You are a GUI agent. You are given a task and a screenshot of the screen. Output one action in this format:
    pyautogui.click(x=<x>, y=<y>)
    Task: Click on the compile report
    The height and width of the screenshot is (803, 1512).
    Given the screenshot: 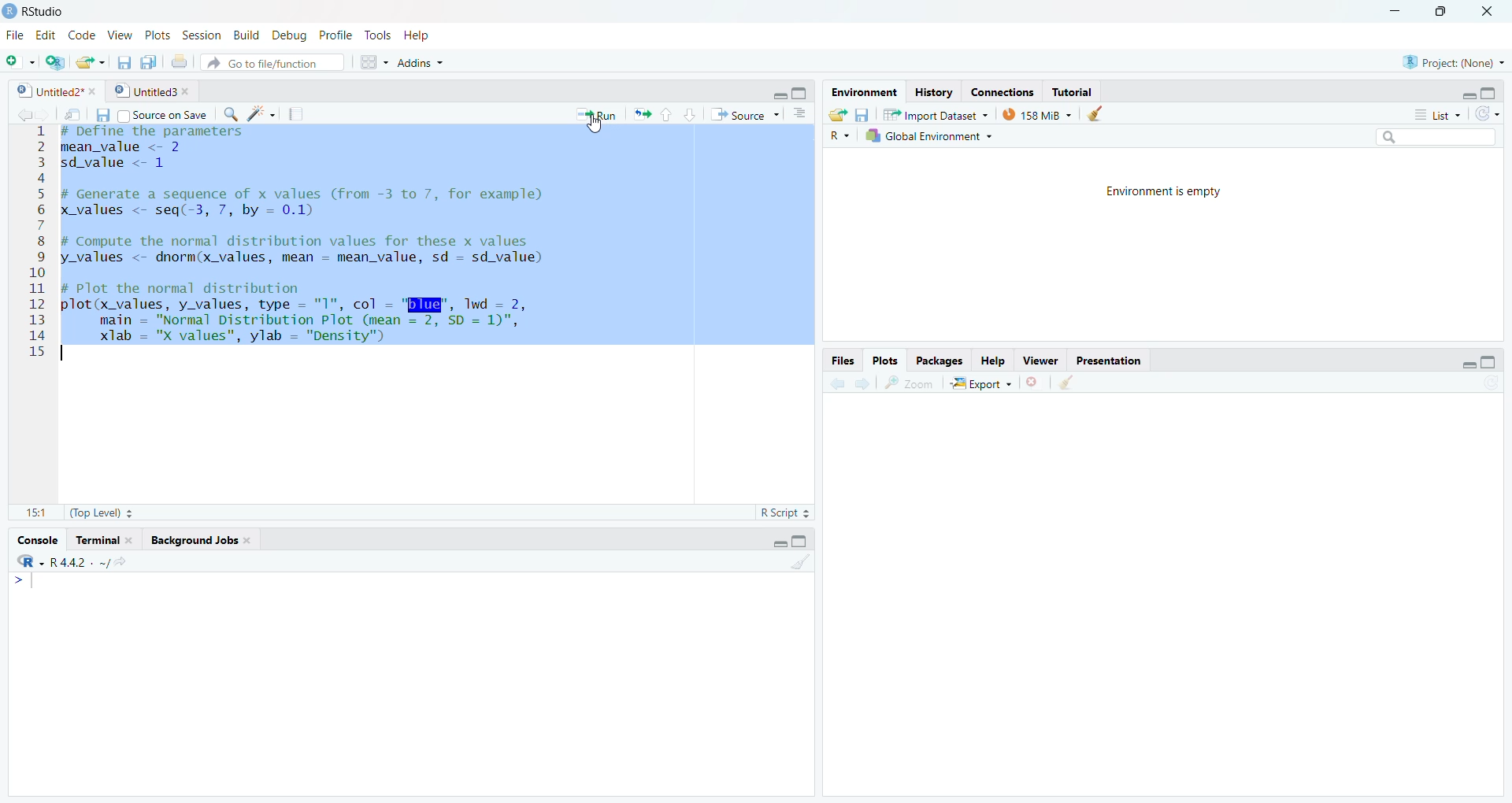 What is the action you would take?
    pyautogui.click(x=289, y=112)
    